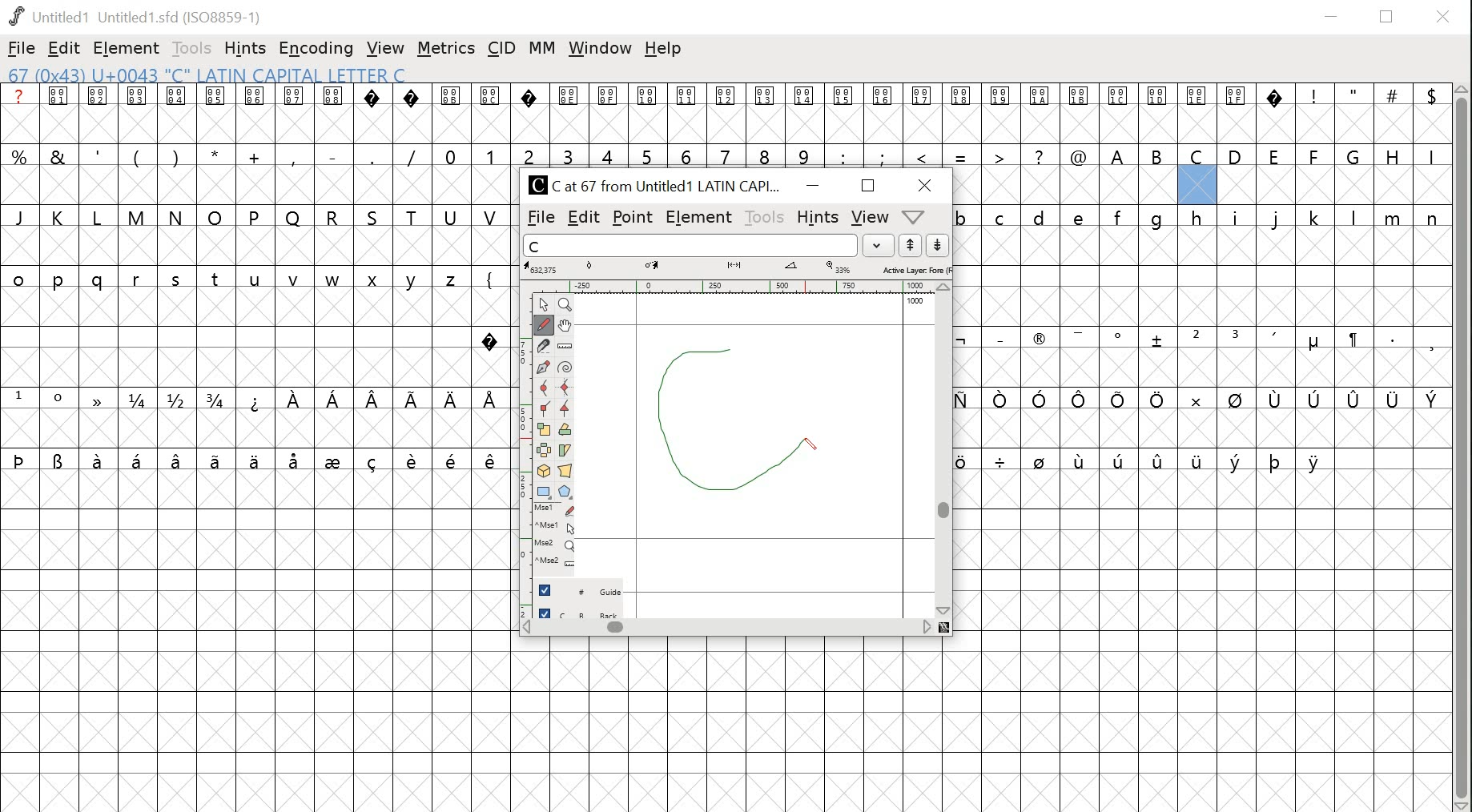 The width and height of the screenshot is (1472, 812). Describe the element at coordinates (546, 368) in the screenshot. I see `pen` at that location.